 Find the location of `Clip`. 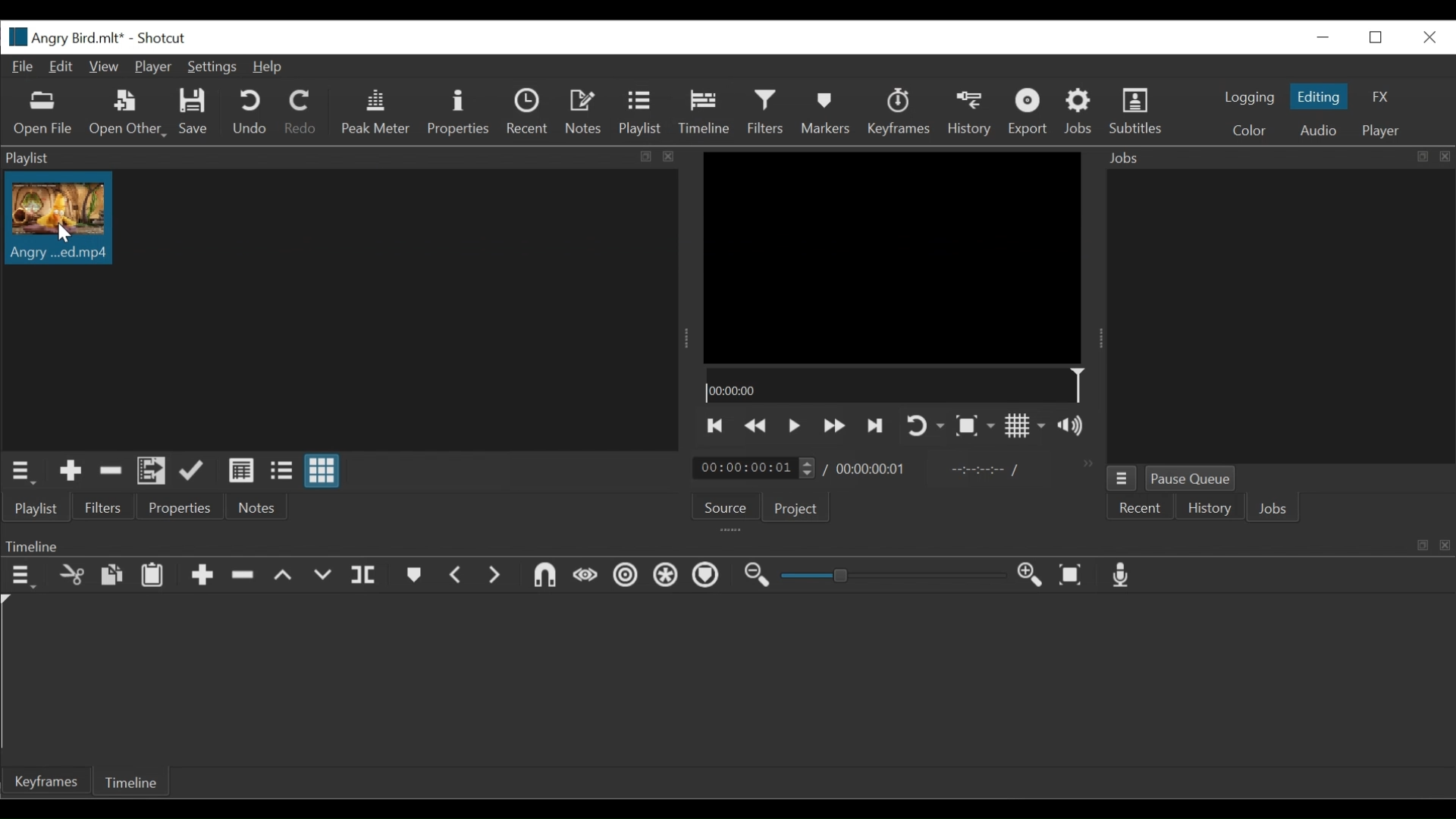

Clip is located at coordinates (58, 219).